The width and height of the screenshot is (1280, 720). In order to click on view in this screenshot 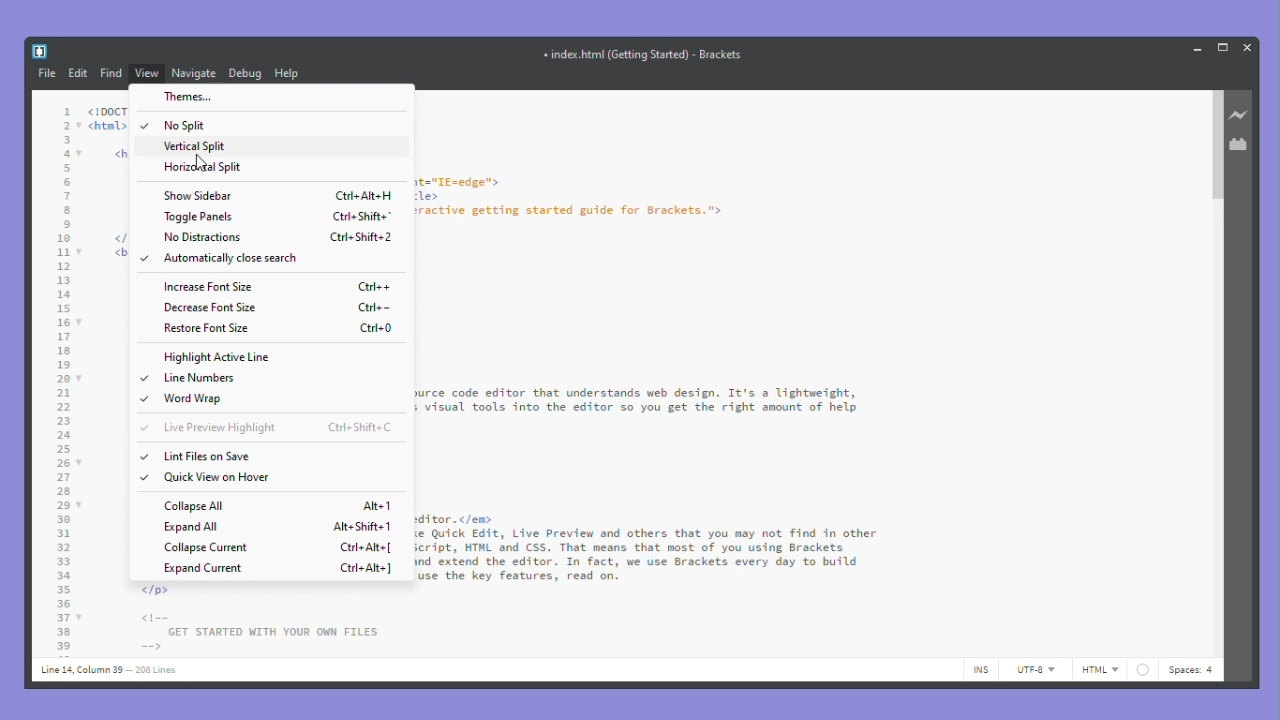, I will do `click(148, 74)`.